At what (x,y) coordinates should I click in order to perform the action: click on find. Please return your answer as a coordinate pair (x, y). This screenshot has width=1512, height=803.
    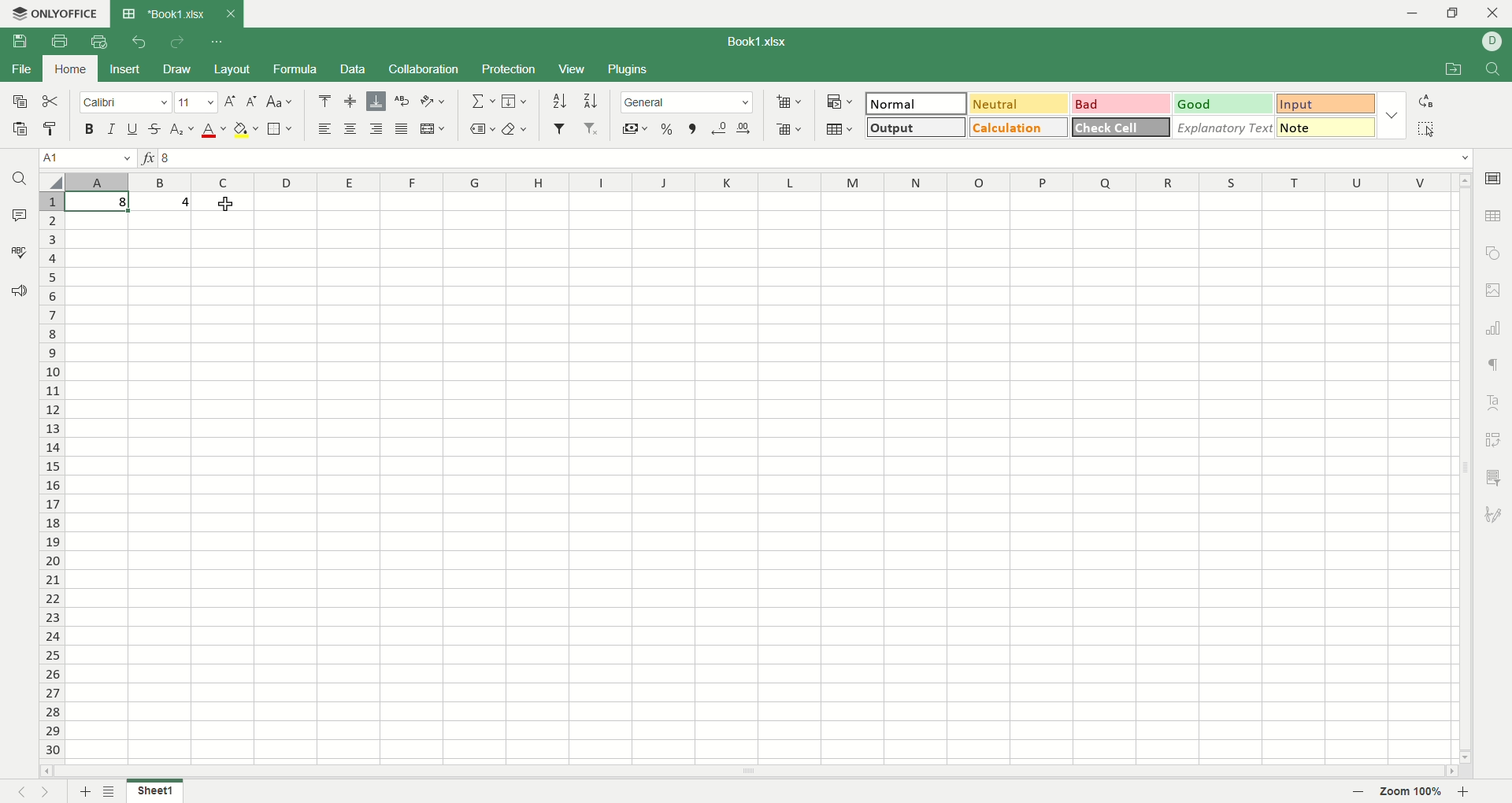
    Looking at the image, I should click on (1494, 67).